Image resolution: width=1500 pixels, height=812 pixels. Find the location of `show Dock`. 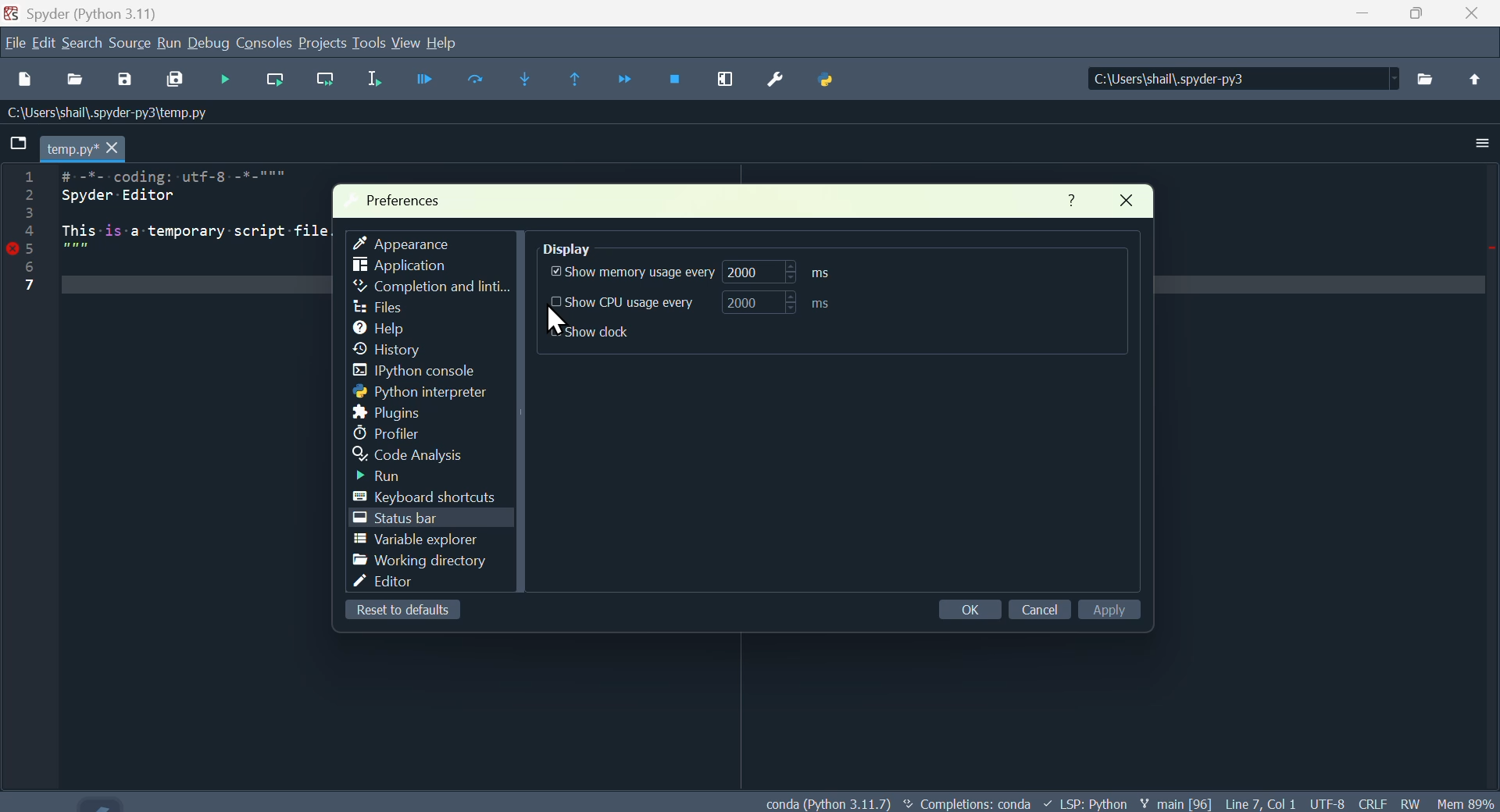

show Dock is located at coordinates (609, 336).